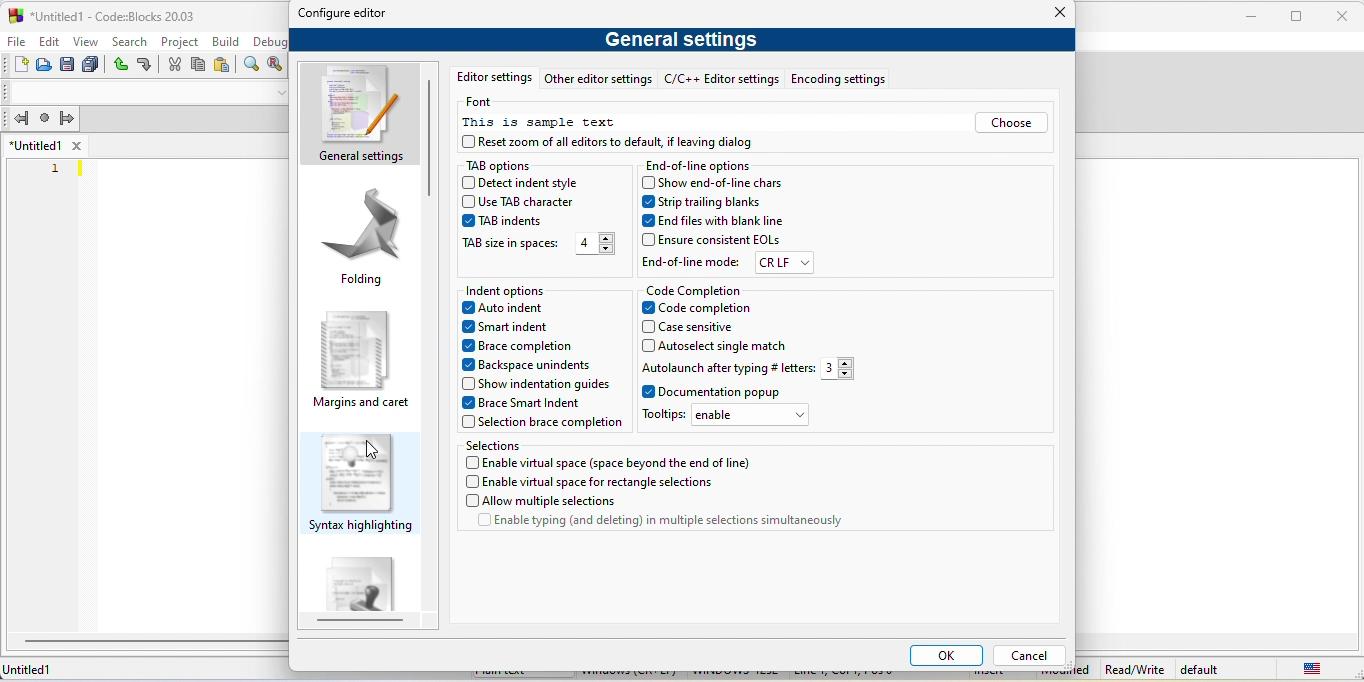 The height and width of the screenshot is (682, 1364). I want to click on enable virtual space for rectangle selections, so click(639, 481).